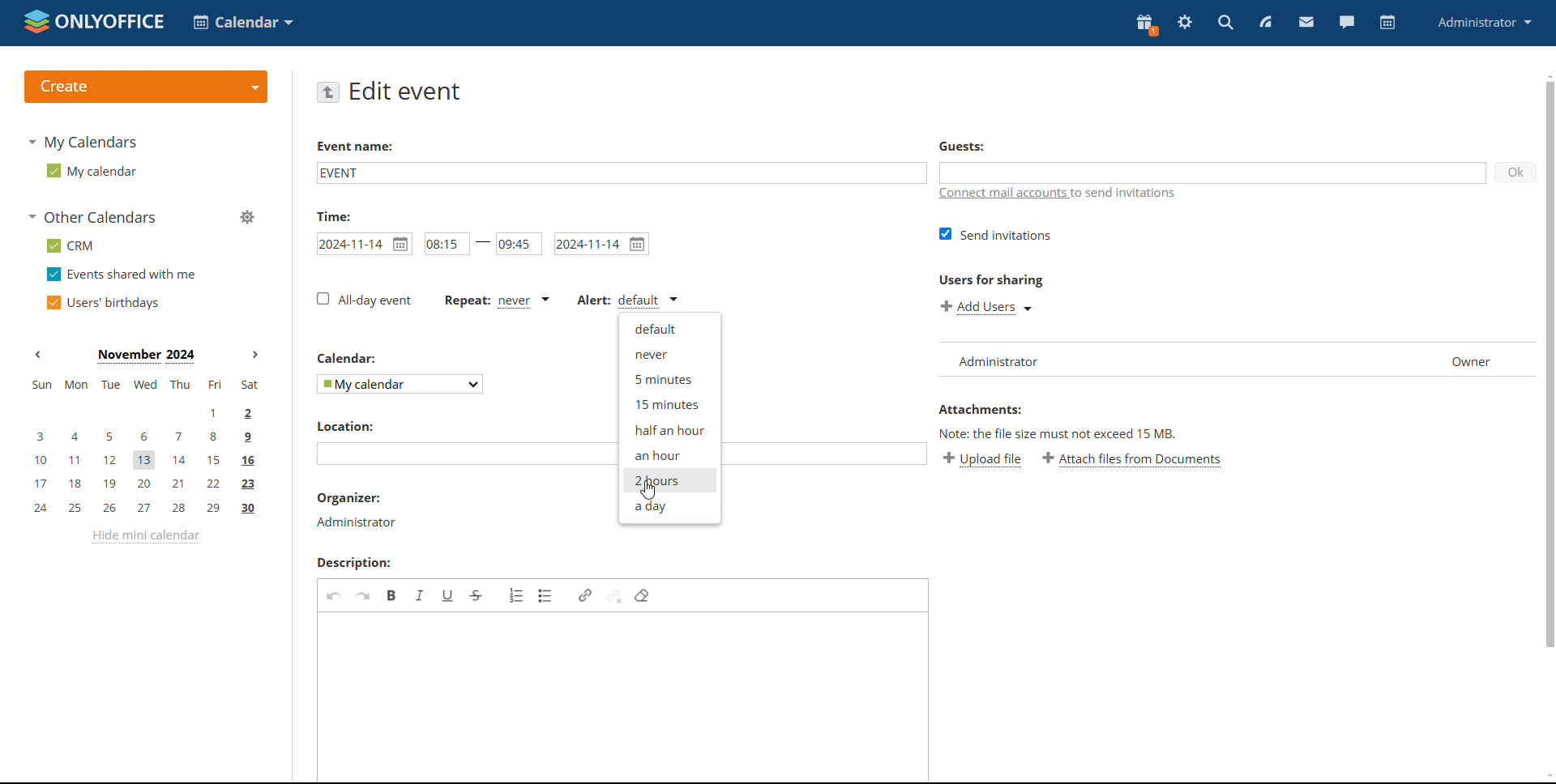 Image resolution: width=1556 pixels, height=784 pixels. I want to click on edit event, so click(407, 91).